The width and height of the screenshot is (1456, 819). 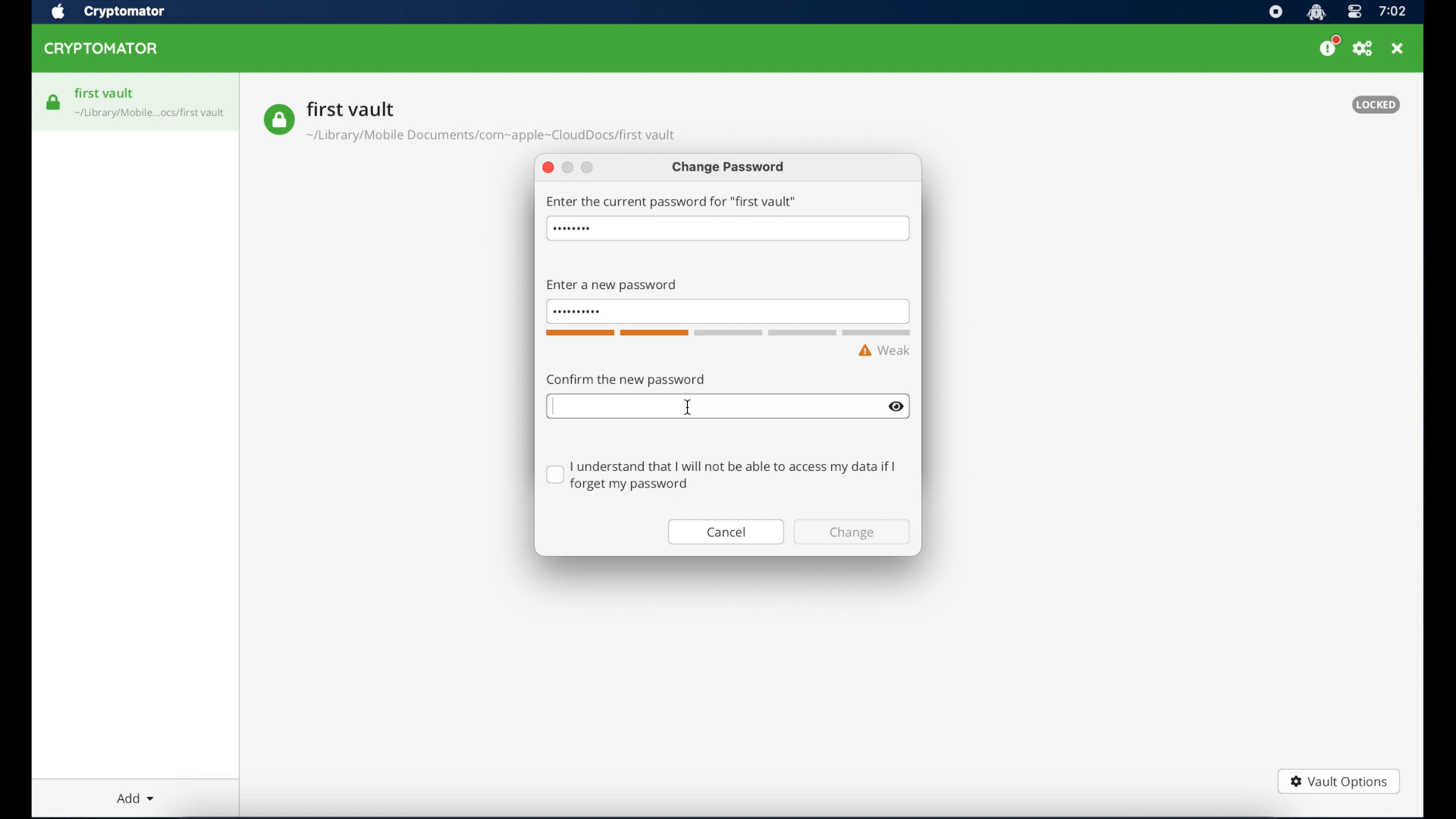 What do you see at coordinates (730, 168) in the screenshot?
I see `change password` at bounding box center [730, 168].